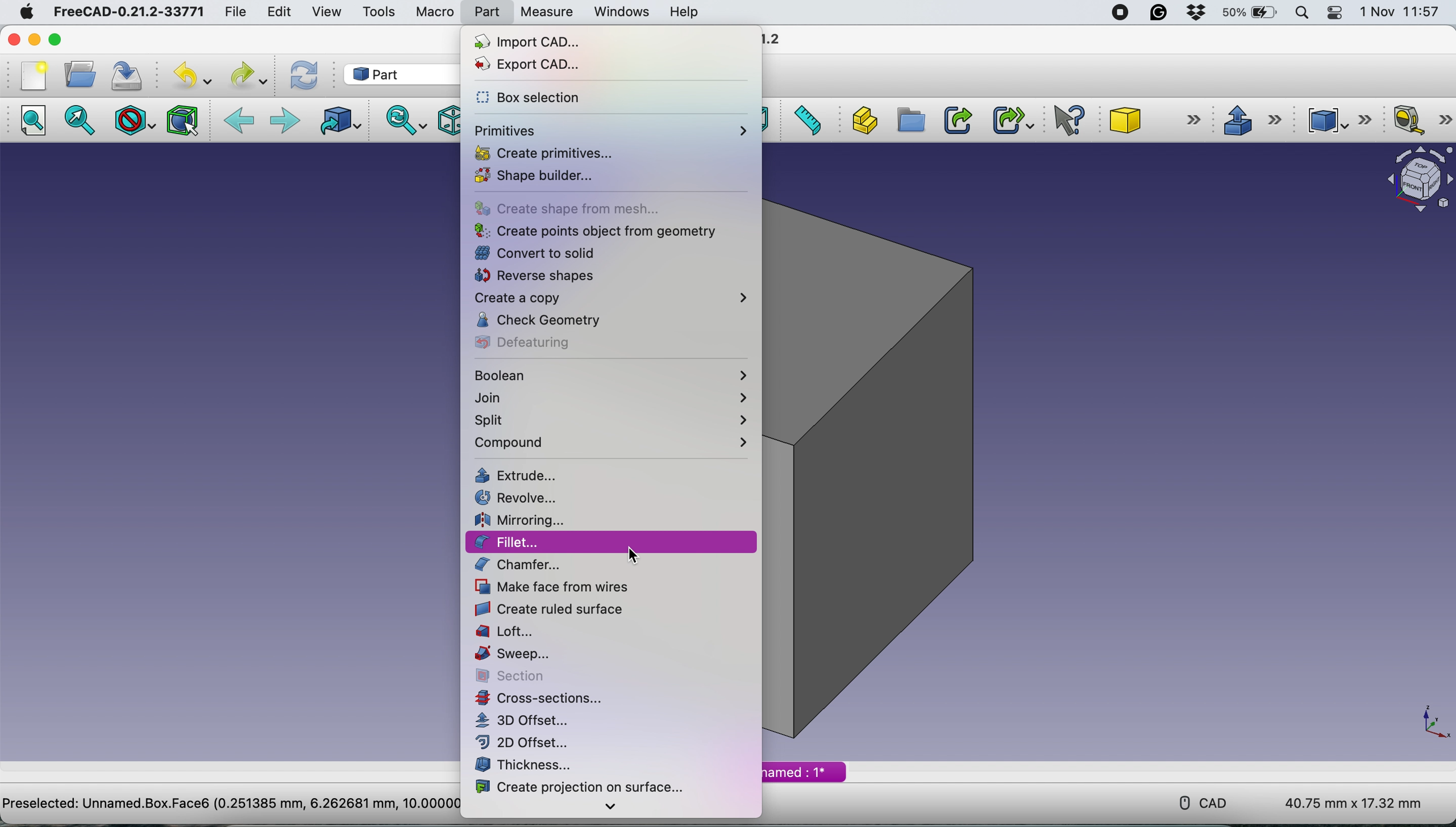 This screenshot has width=1456, height=827. Describe the element at coordinates (536, 252) in the screenshot. I see `convert to solid` at that location.